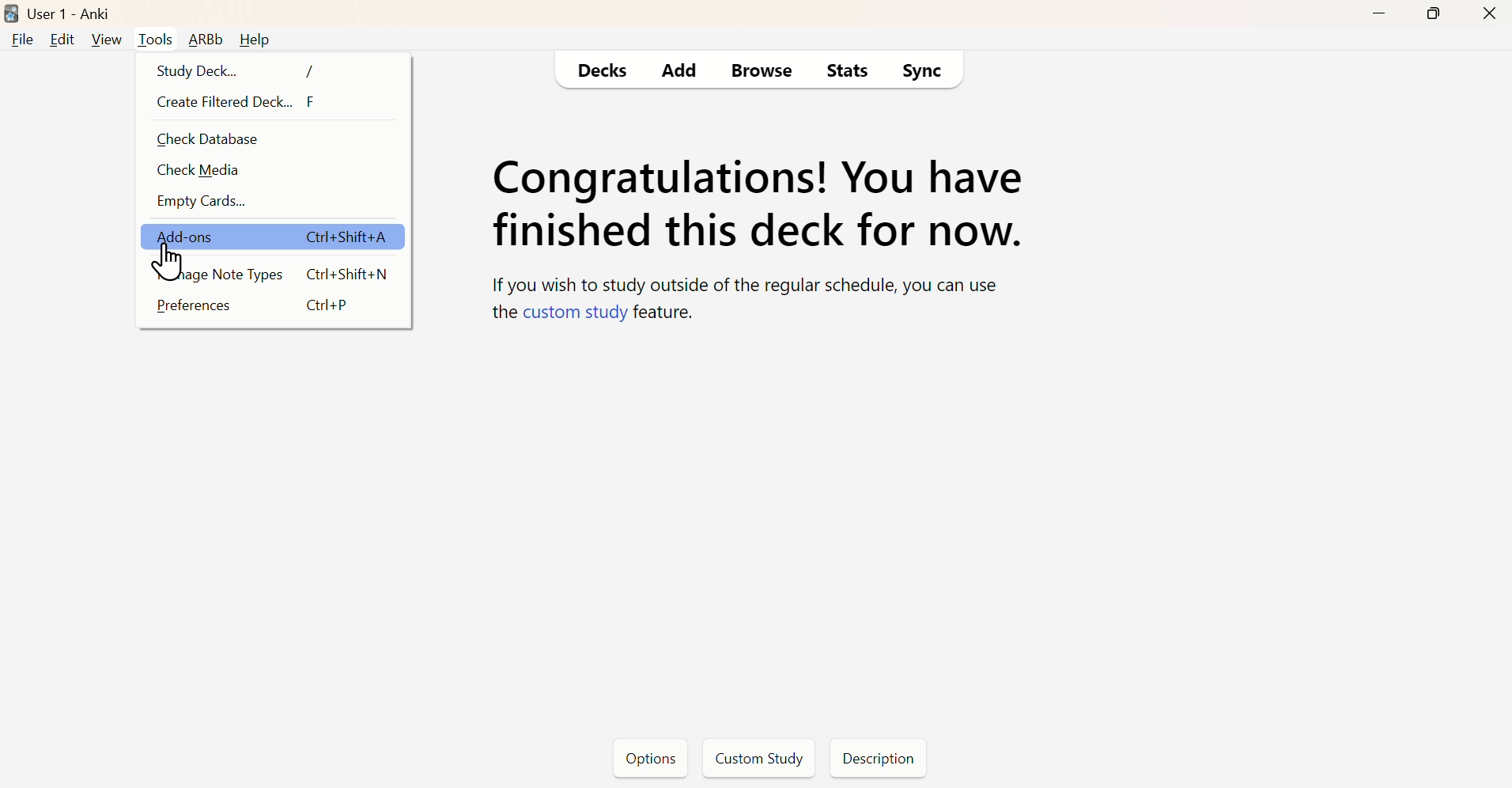 The height and width of the screenshot is (788, 1512). Describe the element at coordinates (23, 39) in the screenshot. I see `File` at that location.